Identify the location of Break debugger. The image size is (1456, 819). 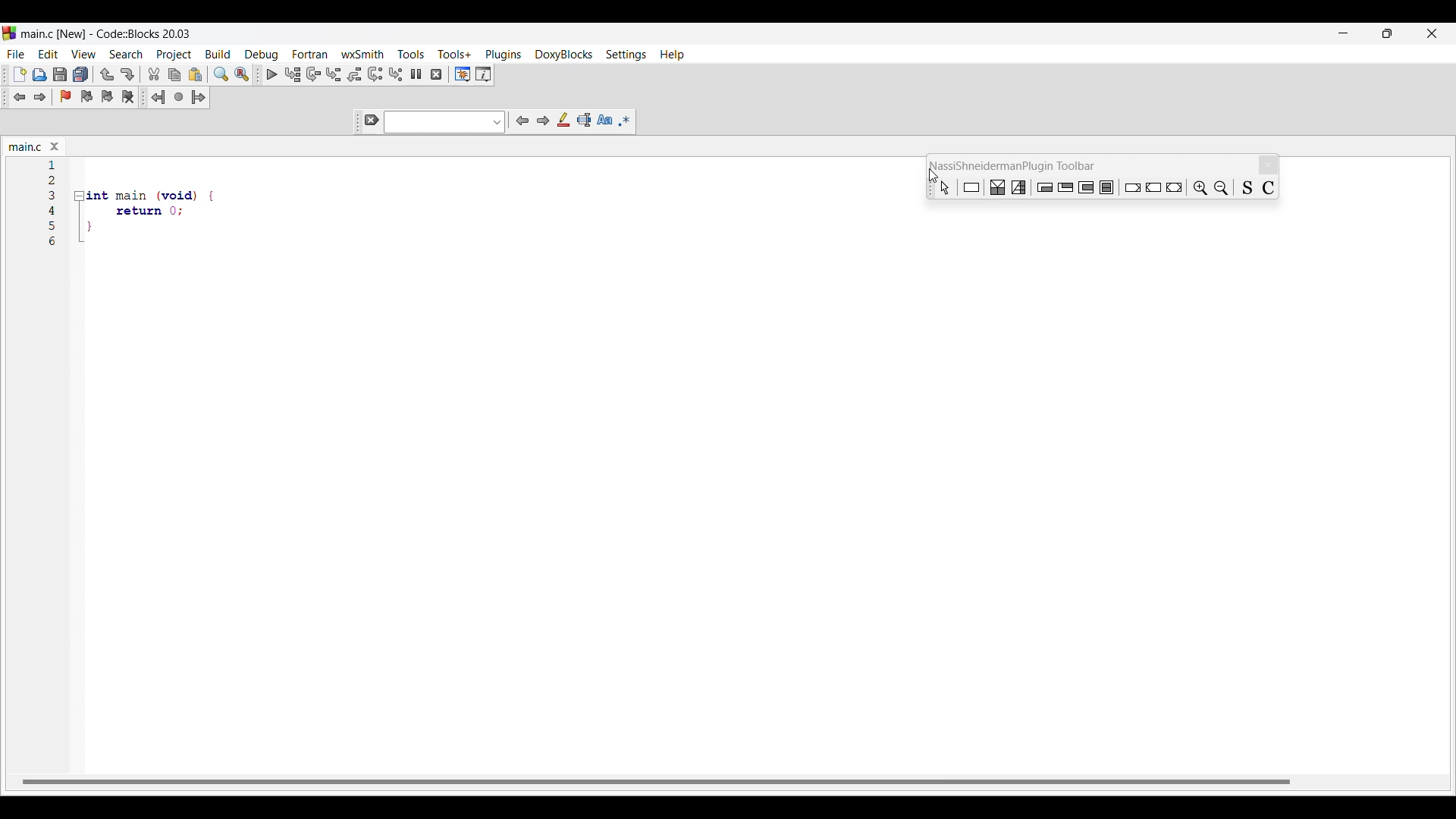
(416, 74).